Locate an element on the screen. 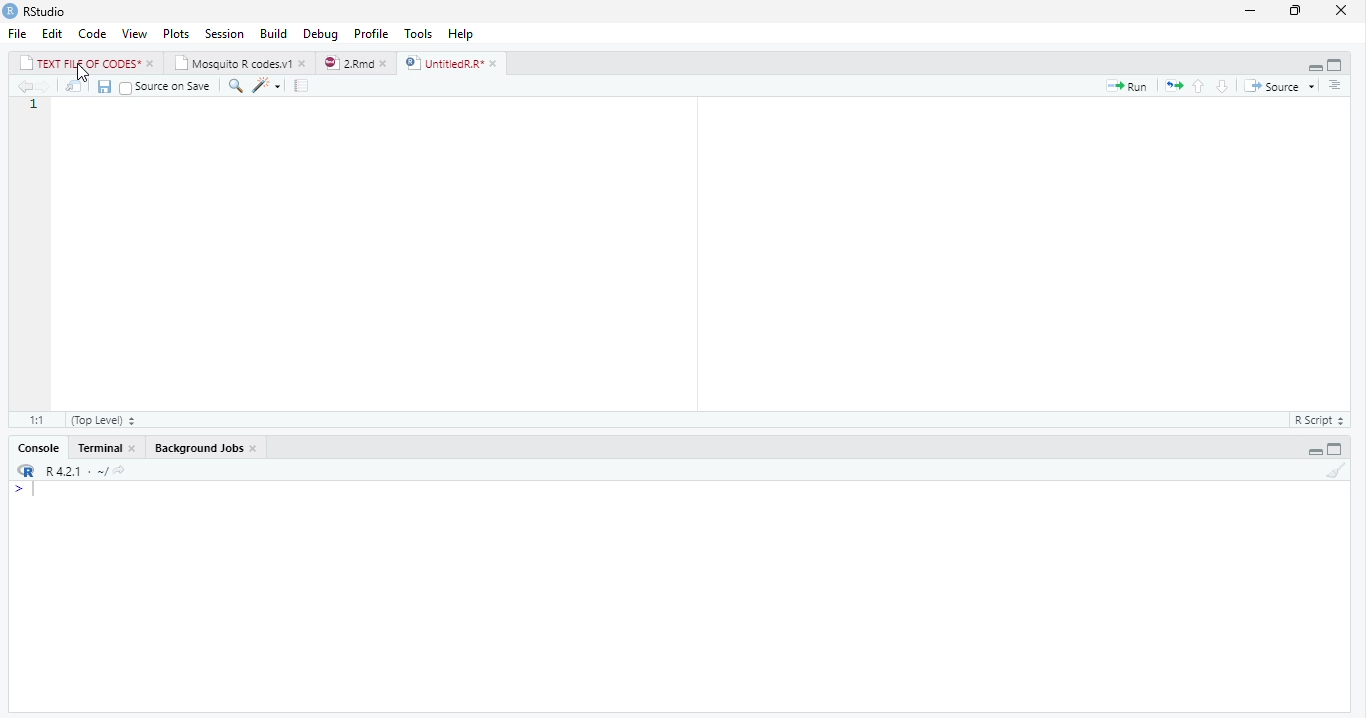 This screenshot has height=718, width=1366. code tools is located at coordinates (266, 85).